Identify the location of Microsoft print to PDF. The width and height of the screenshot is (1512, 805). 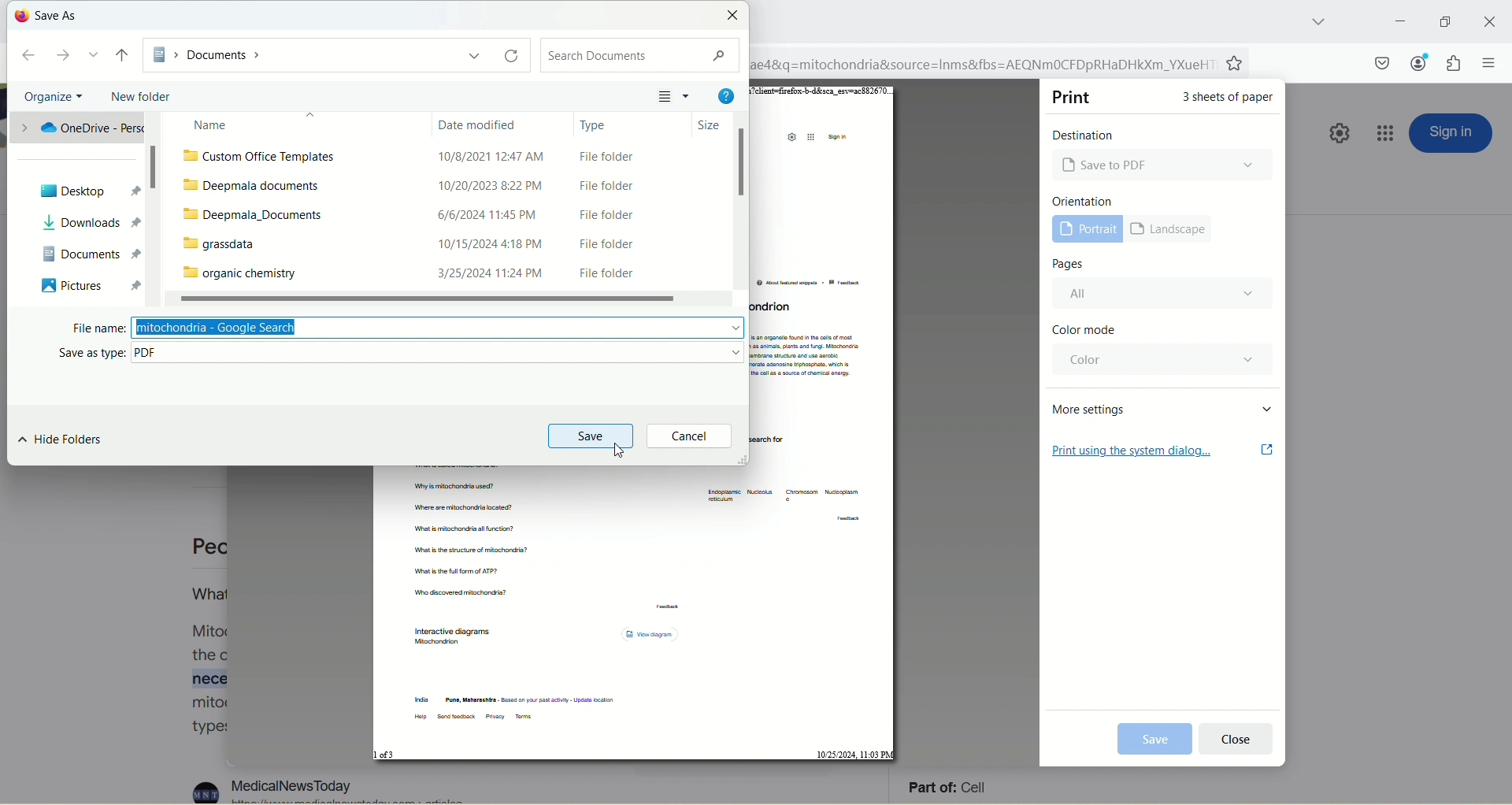
(1164, 164).